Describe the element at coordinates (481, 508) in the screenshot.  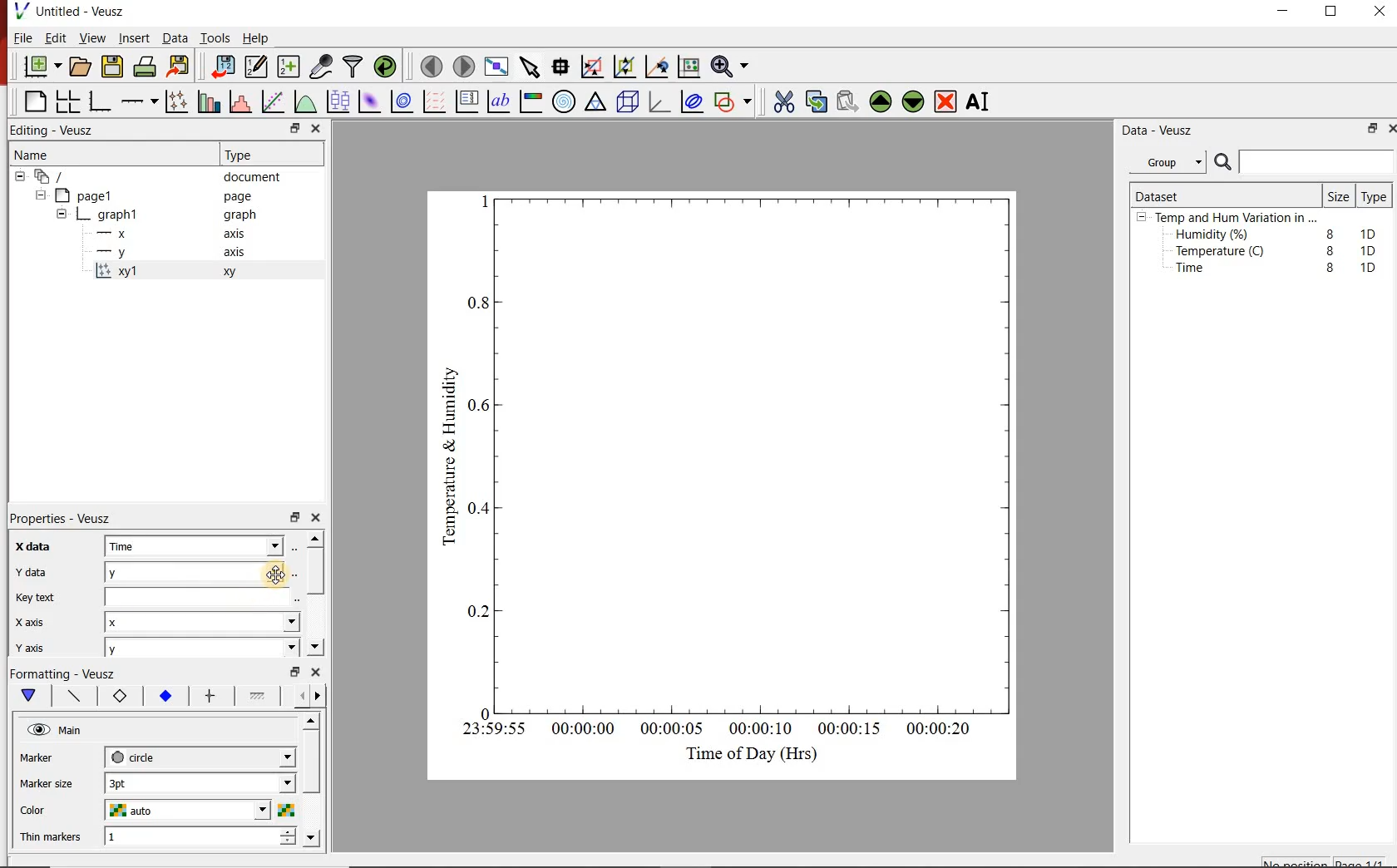
I see `0.4` at that location.